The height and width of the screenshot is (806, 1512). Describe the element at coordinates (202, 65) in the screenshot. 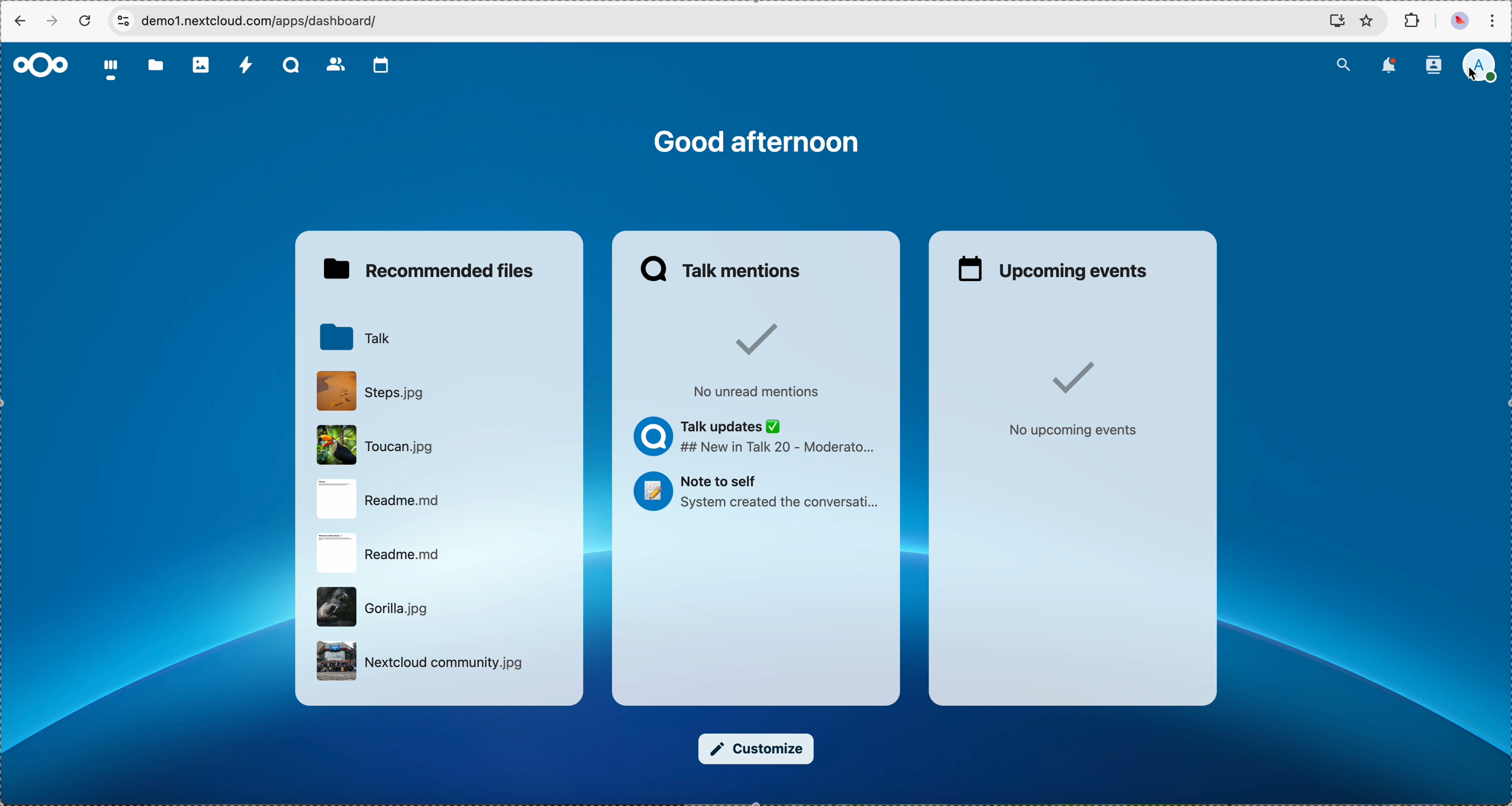

I see `photos` at that location.